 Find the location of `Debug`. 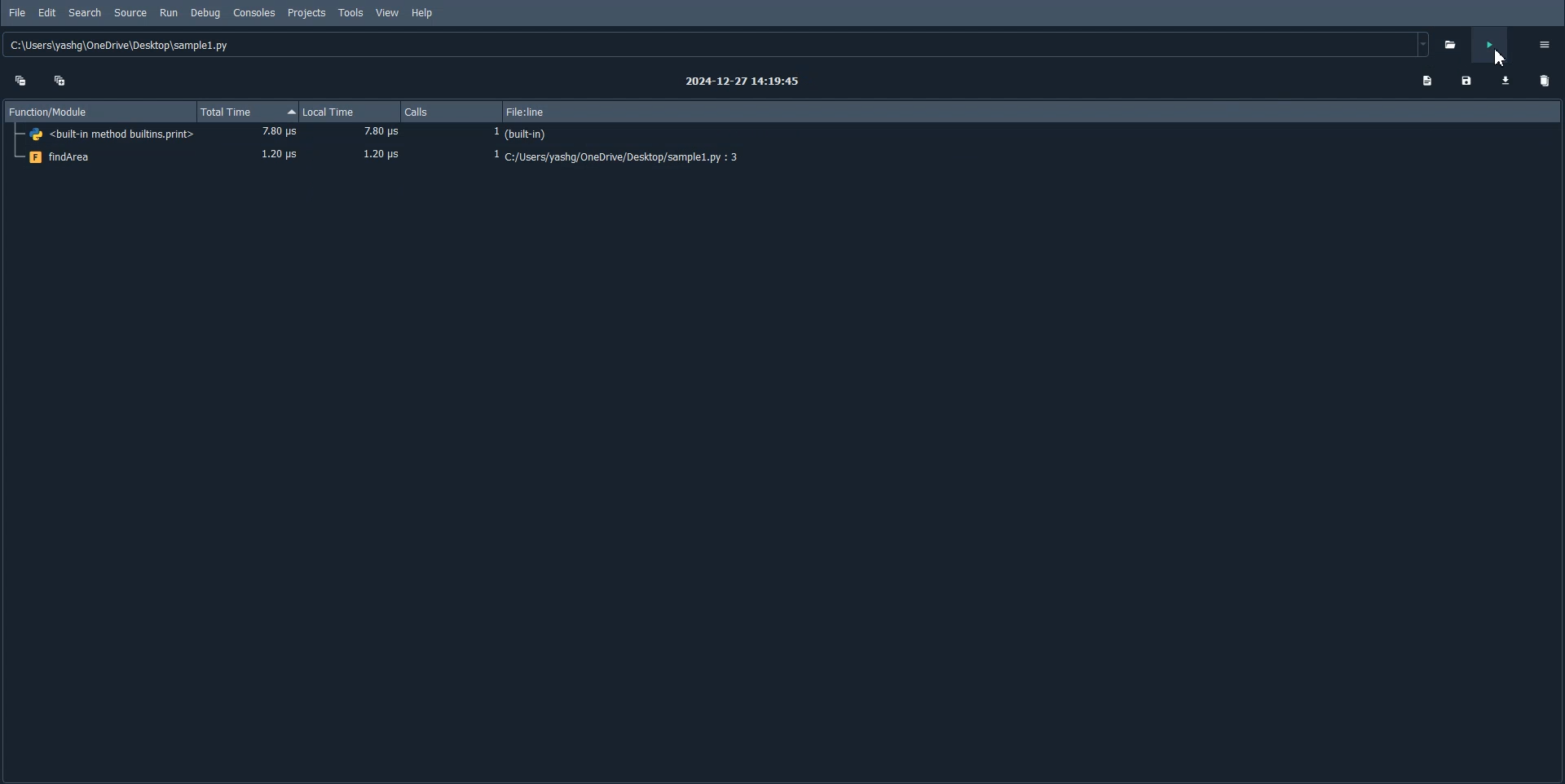

Debug is located at coordinates (204, 13).